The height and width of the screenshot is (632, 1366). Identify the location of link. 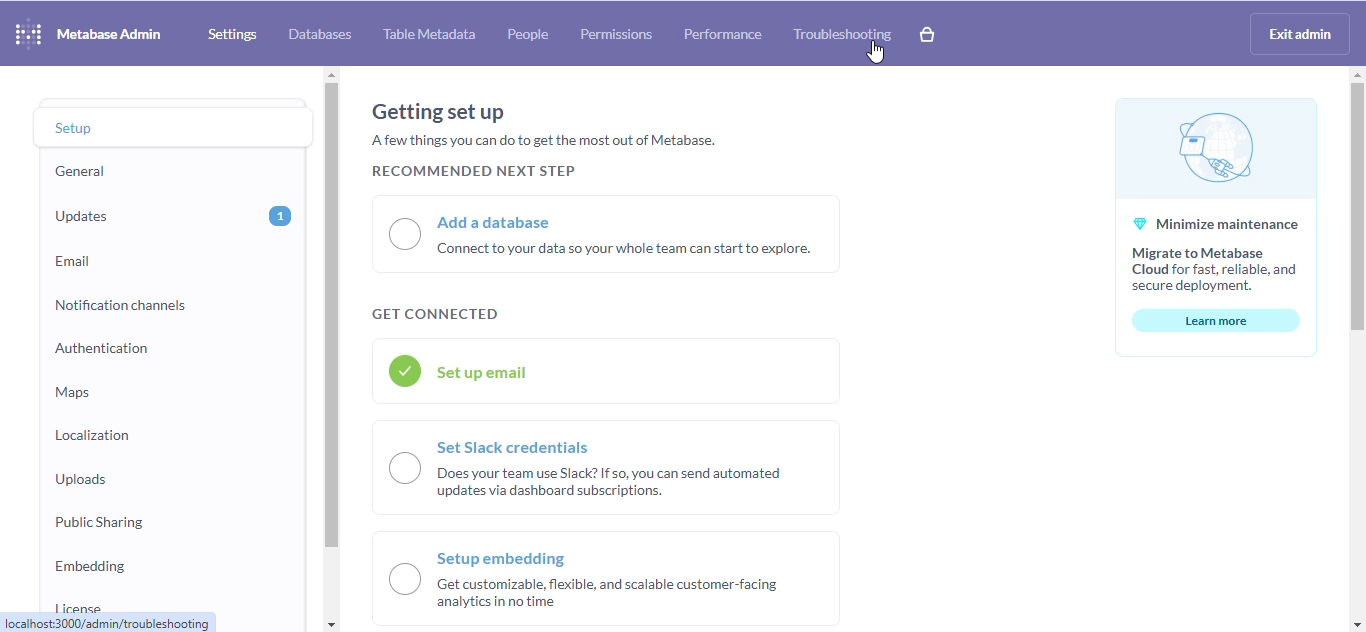
(109, 623).